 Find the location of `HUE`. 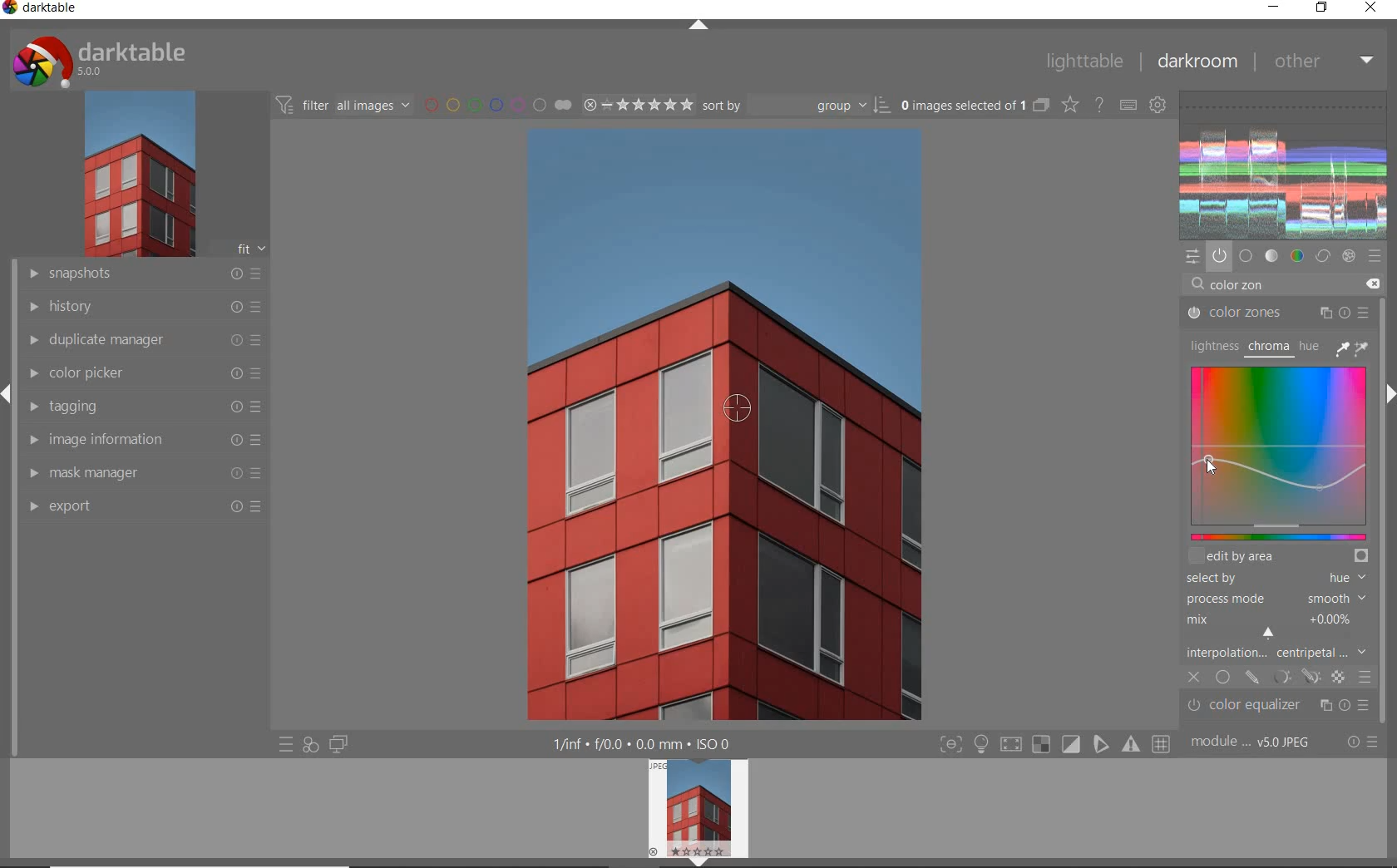

HUE is located at coordinates (1307, 345).